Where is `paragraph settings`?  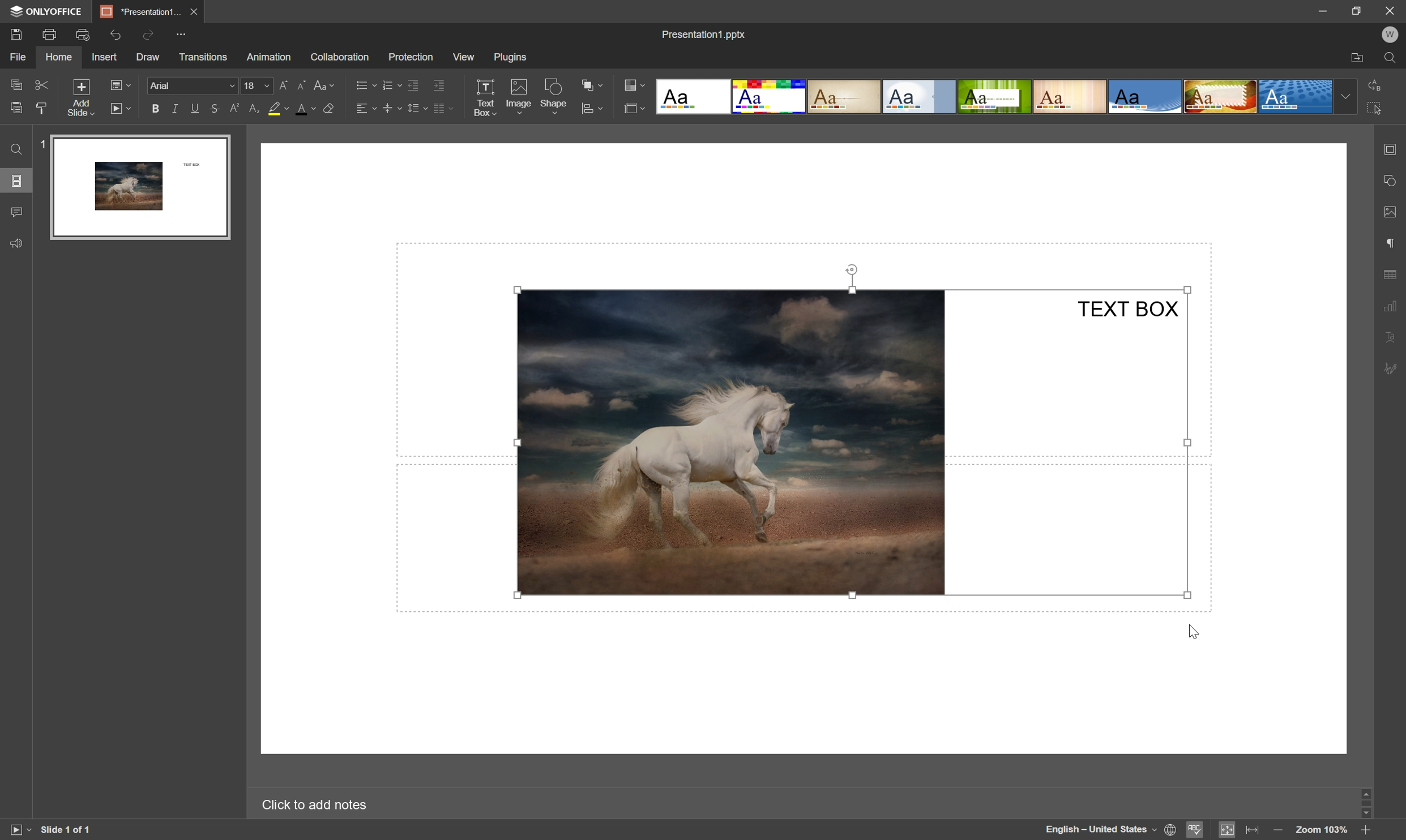
paragraph settings is located at coordinates (1391, 243).